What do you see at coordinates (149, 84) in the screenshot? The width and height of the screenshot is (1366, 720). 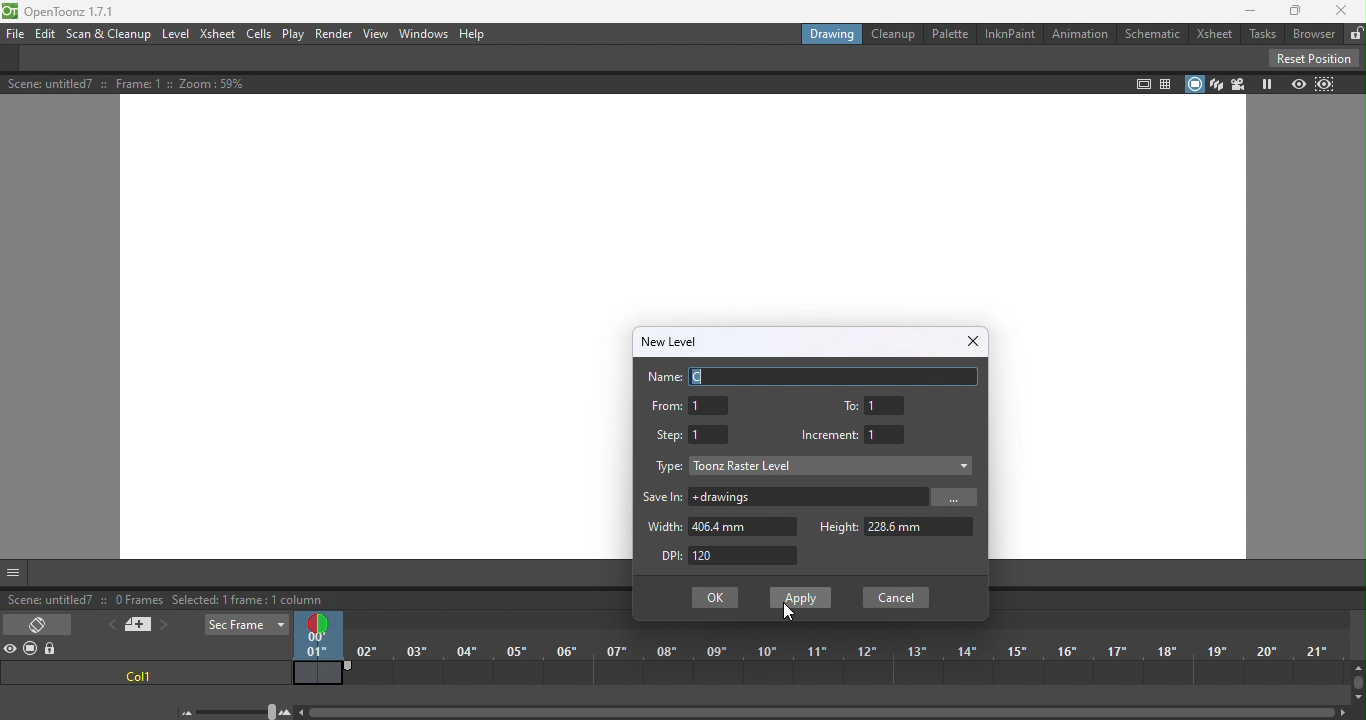 I see `Scene details` at bounding box center [149, 84].